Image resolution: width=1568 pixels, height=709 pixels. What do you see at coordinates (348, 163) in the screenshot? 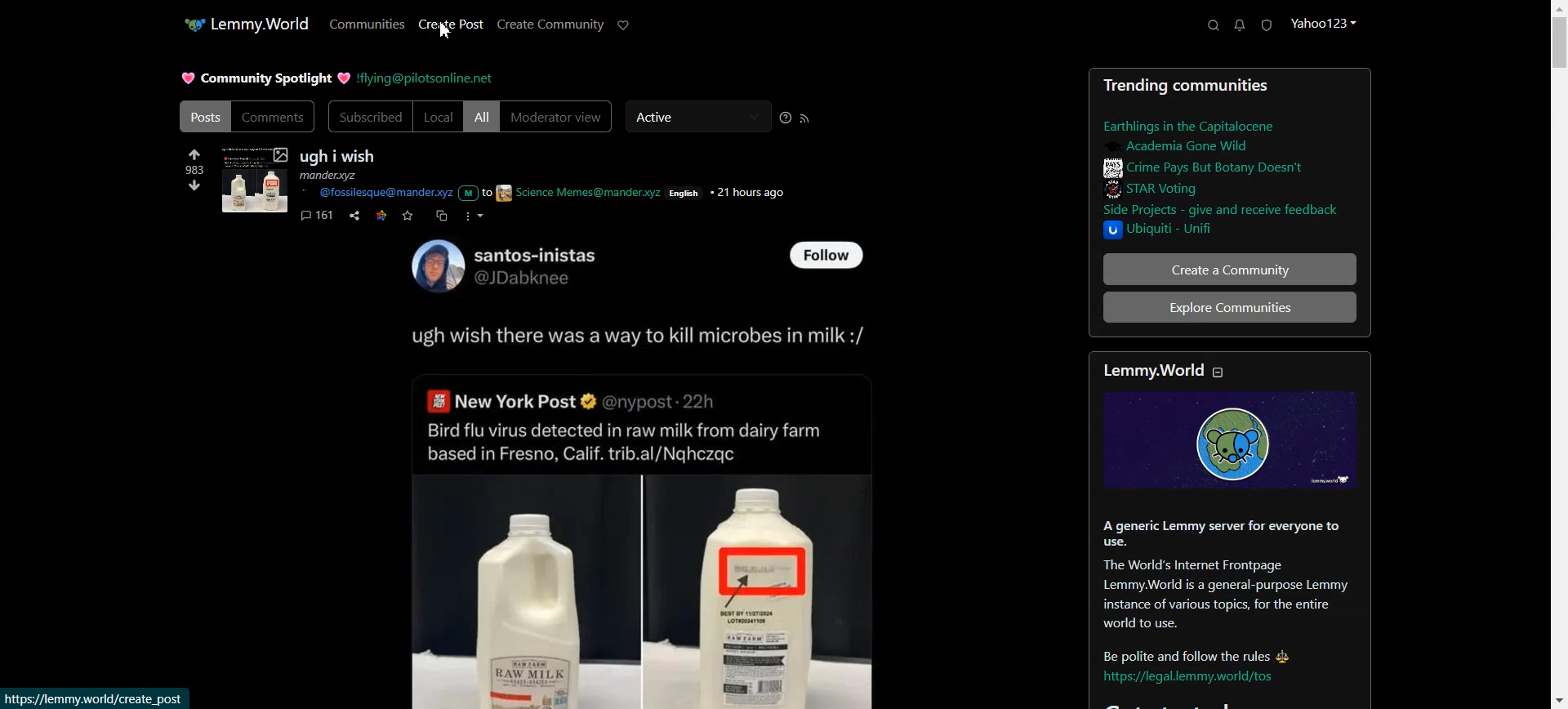
I see `Text` at bounding box center [348, 163].